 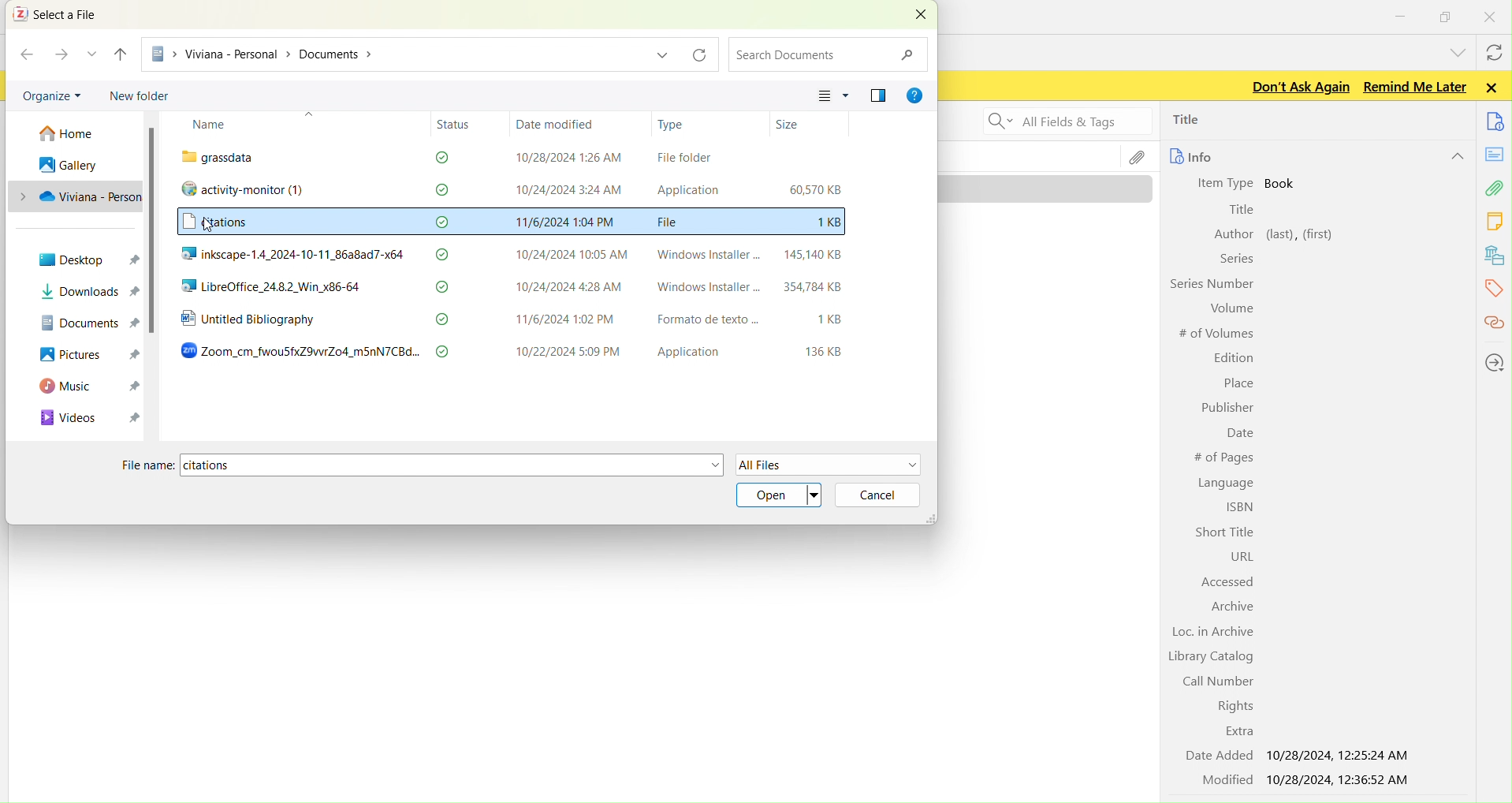 I want to click on # of Volumes, so click(x=1214, y=332).